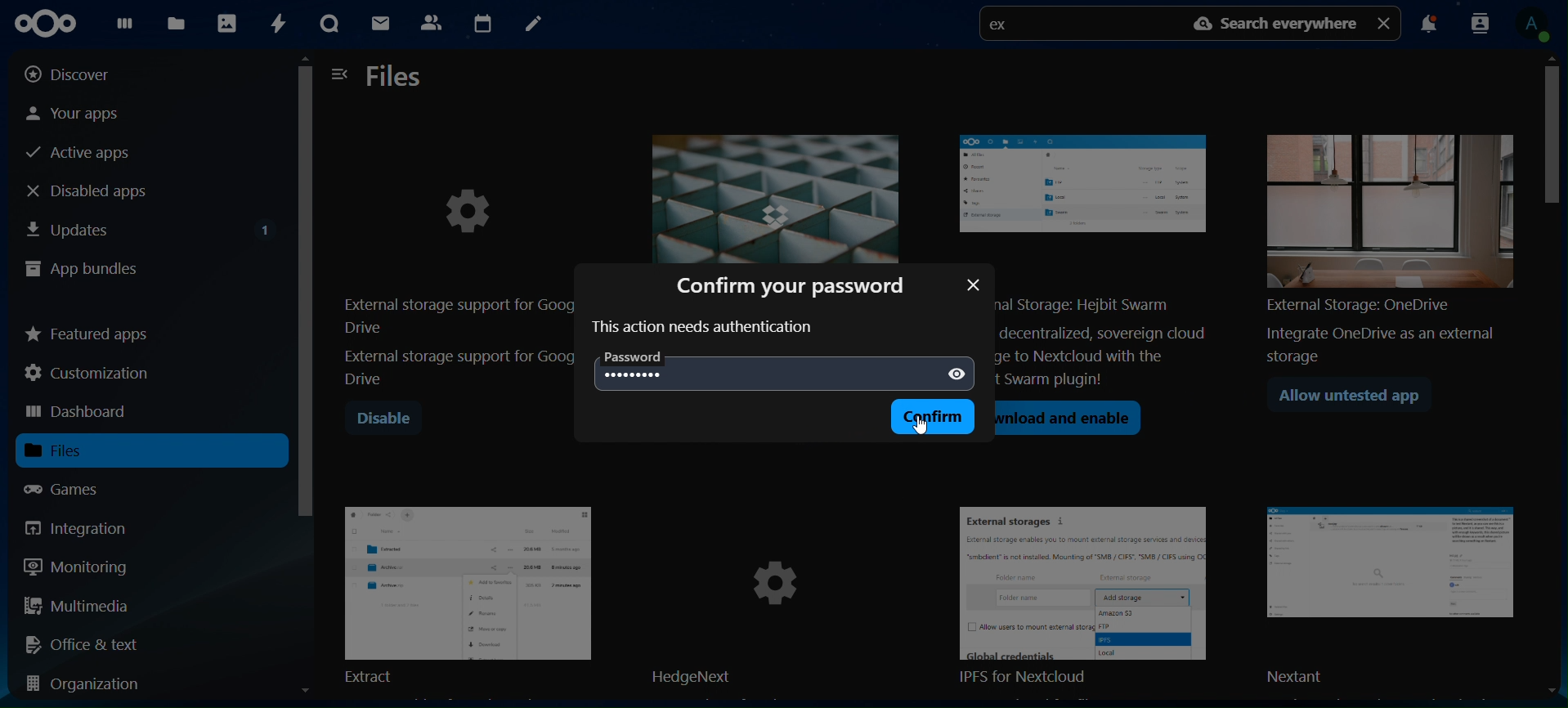  What do you see at coordinates (226, 22) in the screenshot?
I see `photos` at bounding box center [226, 22].